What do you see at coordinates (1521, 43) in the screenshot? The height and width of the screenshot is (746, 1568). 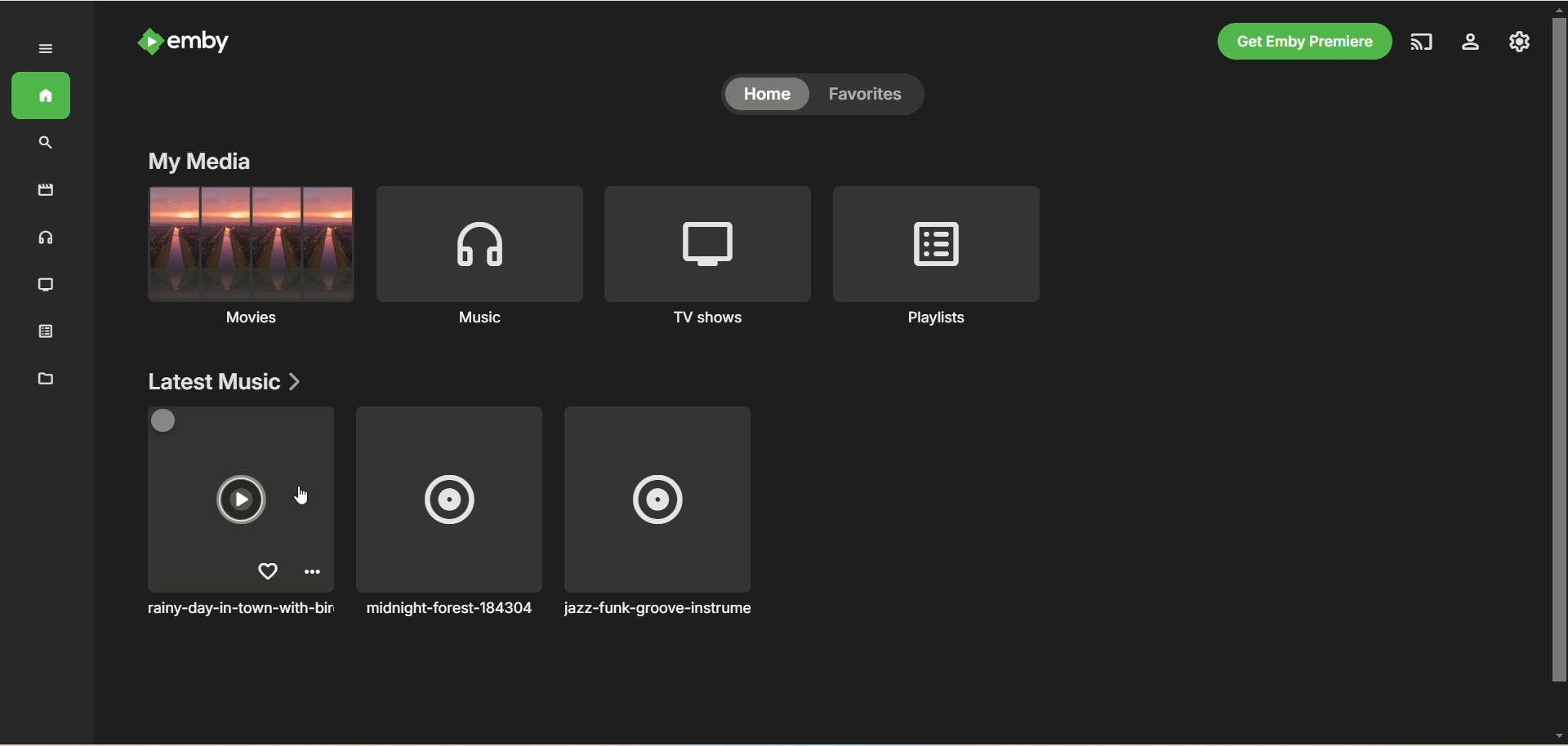 I see `settings` at bounding box center [1521, 43].